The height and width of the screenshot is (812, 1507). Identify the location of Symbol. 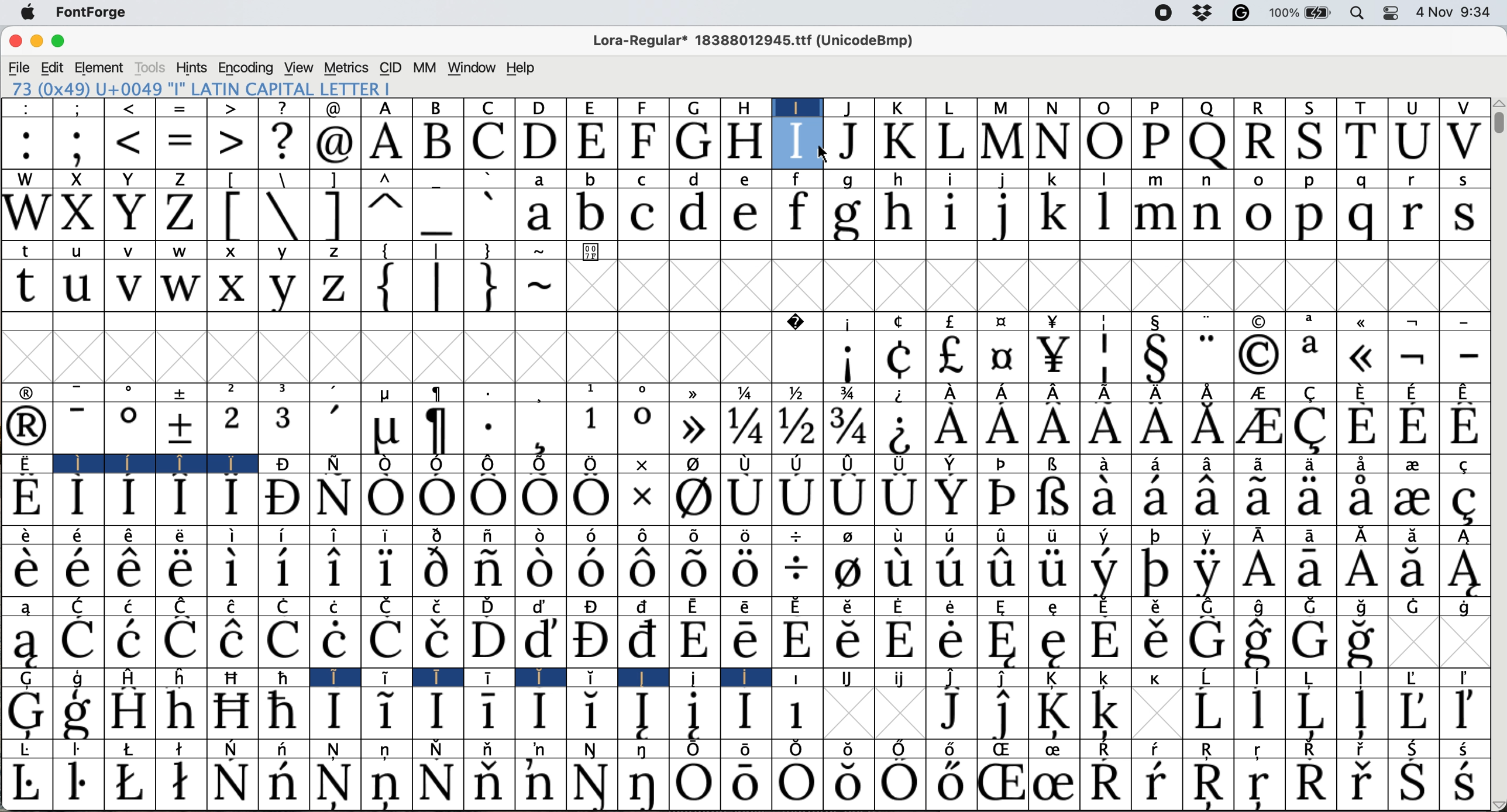
(797, 607).